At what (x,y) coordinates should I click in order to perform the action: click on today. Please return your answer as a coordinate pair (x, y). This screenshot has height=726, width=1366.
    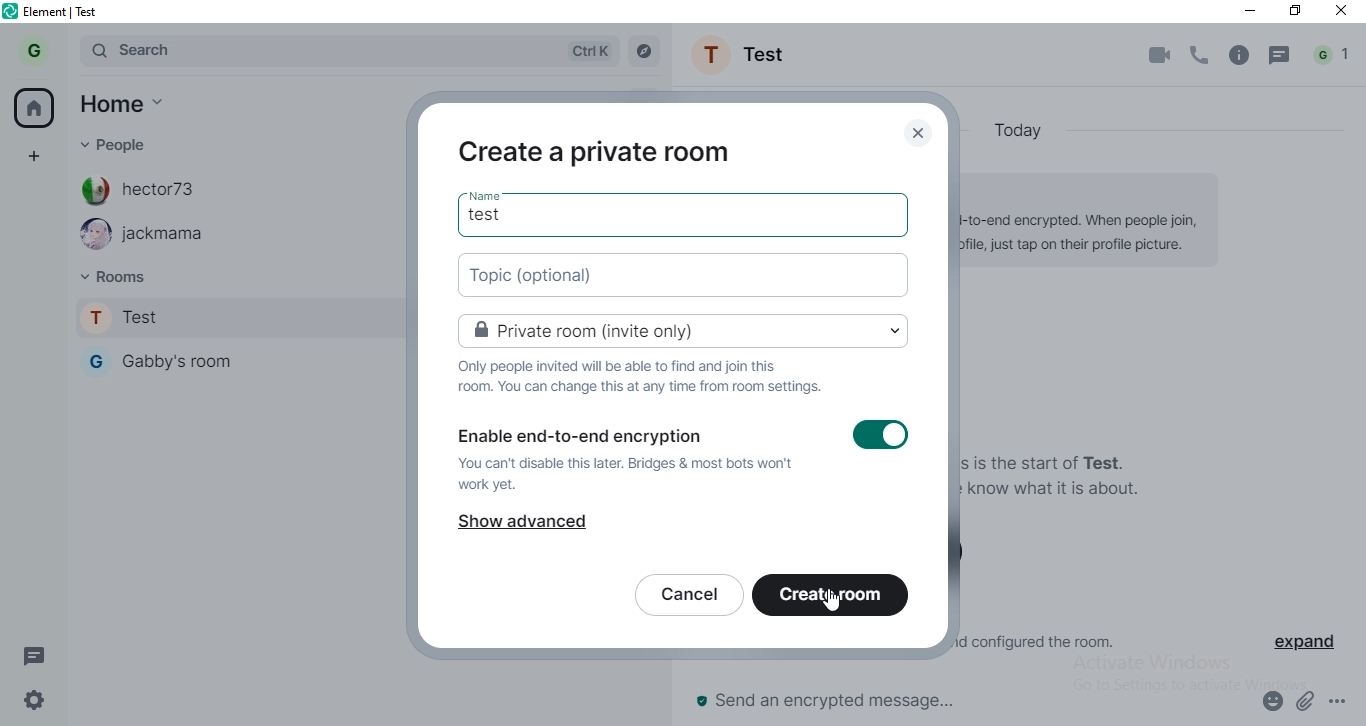
    Looking at the image, I should click on (1023, 127).